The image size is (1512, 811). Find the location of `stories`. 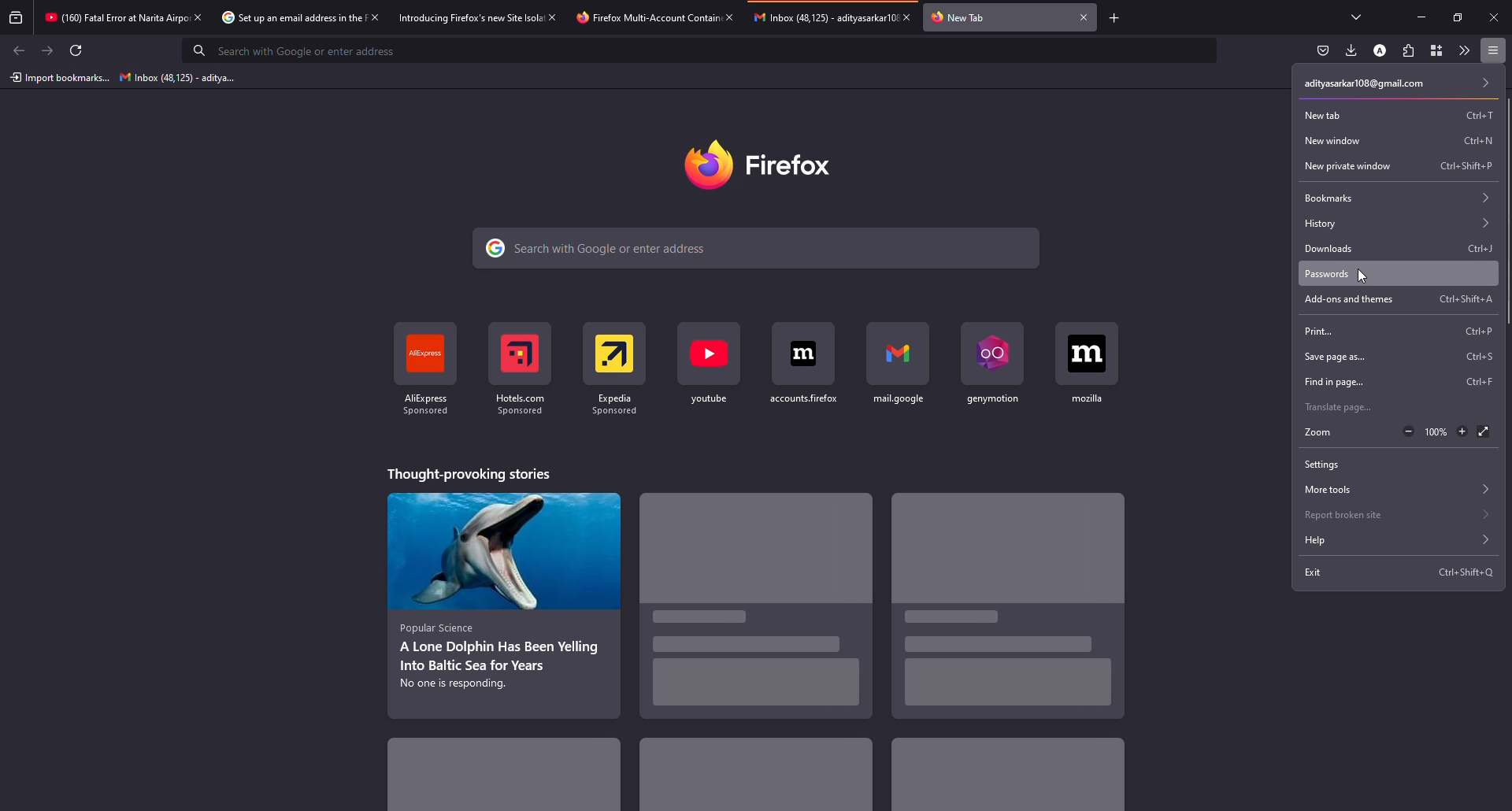

stories is located at coordinates (993, 602).